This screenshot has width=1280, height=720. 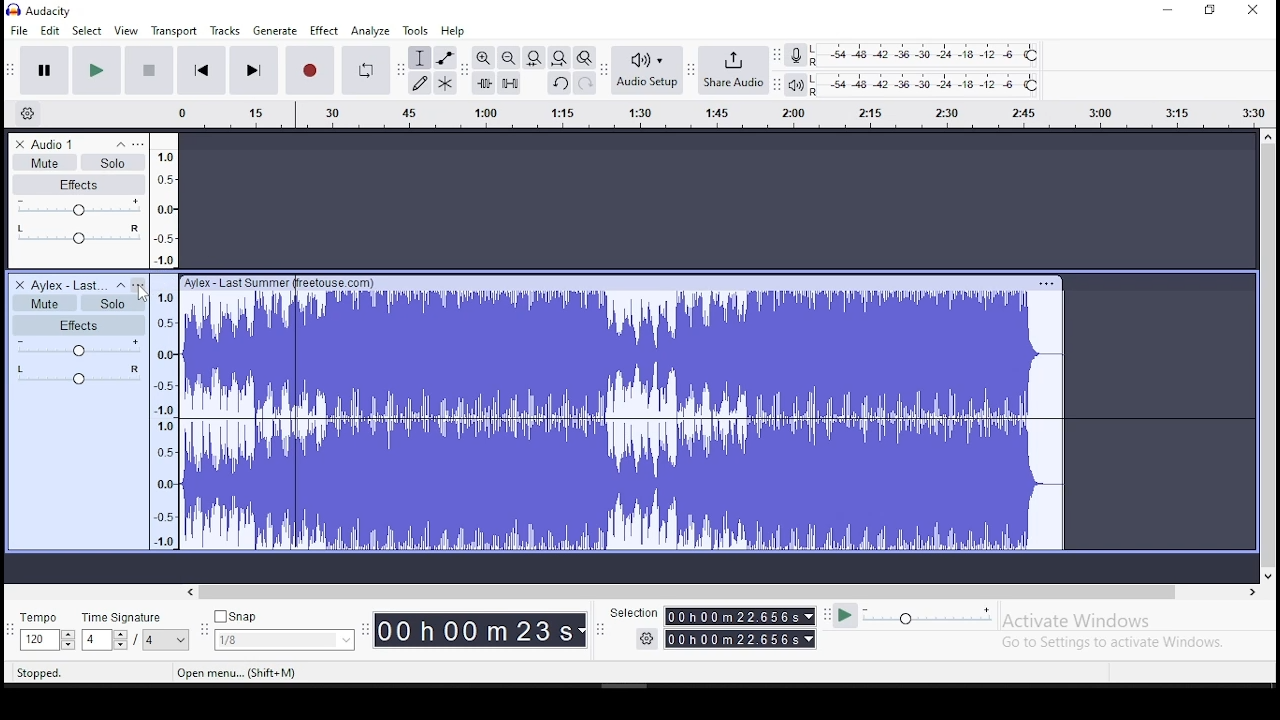 What do you see at coordinates (43, 302) in the screenshot?
I see `mute` at bounding box center [43, 302].